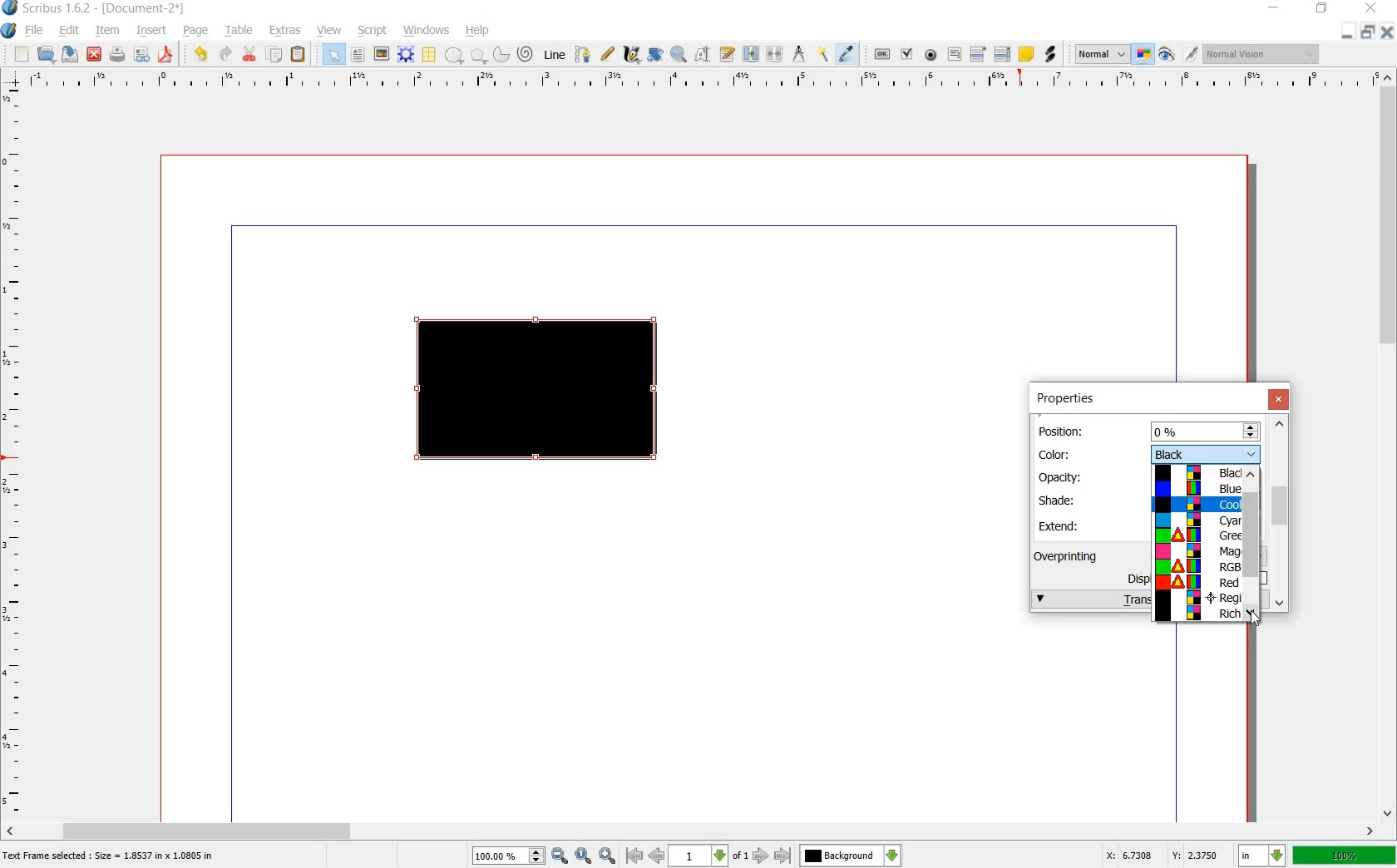 This screenshot has width=1397, height=868. Describe the element at coordinates (979, 53) in the screenshot. I see `pdf combo box` at that location.